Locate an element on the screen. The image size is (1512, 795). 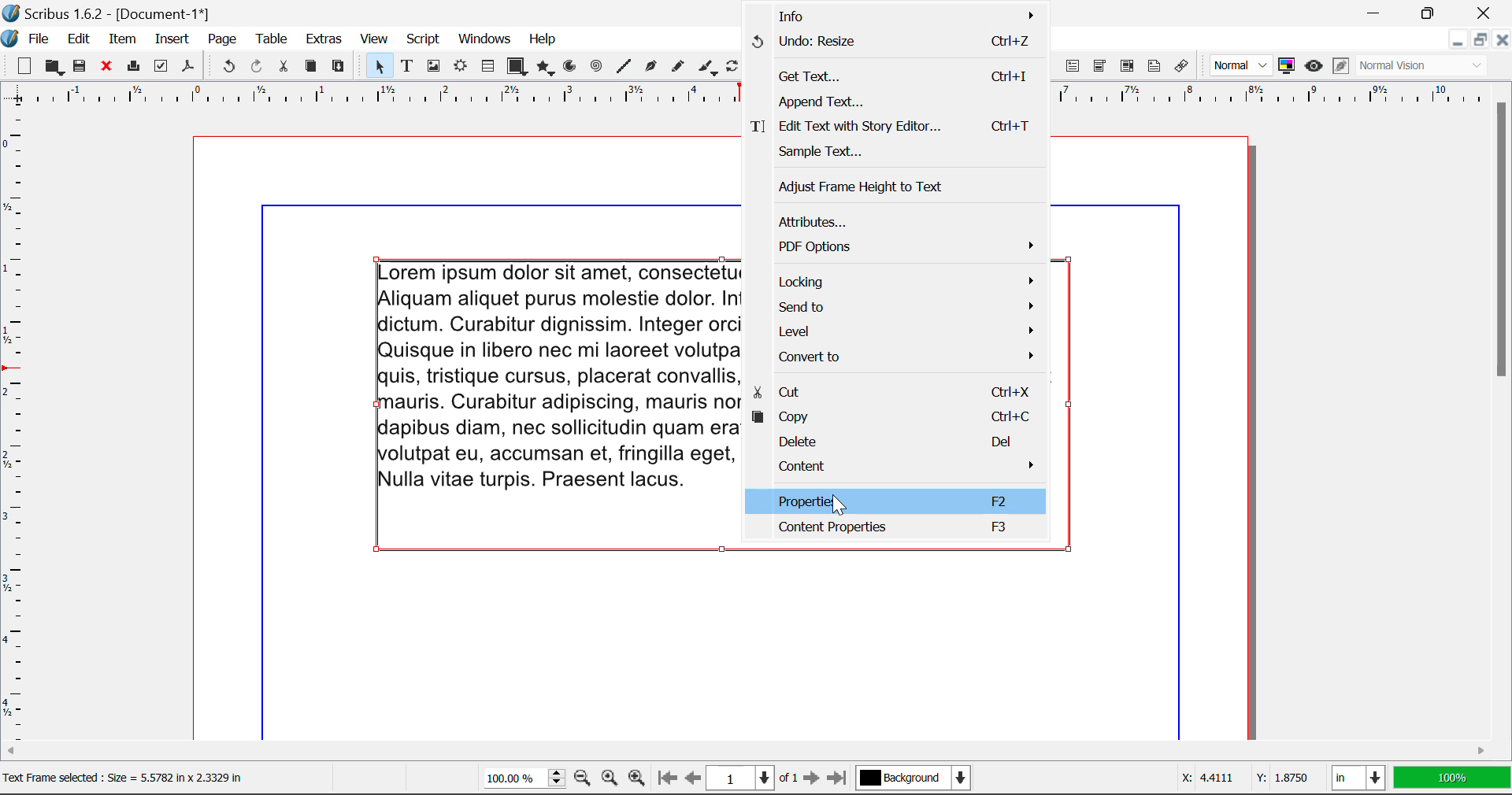
Cursor Coordinates is located at coordinates (1241, 778).